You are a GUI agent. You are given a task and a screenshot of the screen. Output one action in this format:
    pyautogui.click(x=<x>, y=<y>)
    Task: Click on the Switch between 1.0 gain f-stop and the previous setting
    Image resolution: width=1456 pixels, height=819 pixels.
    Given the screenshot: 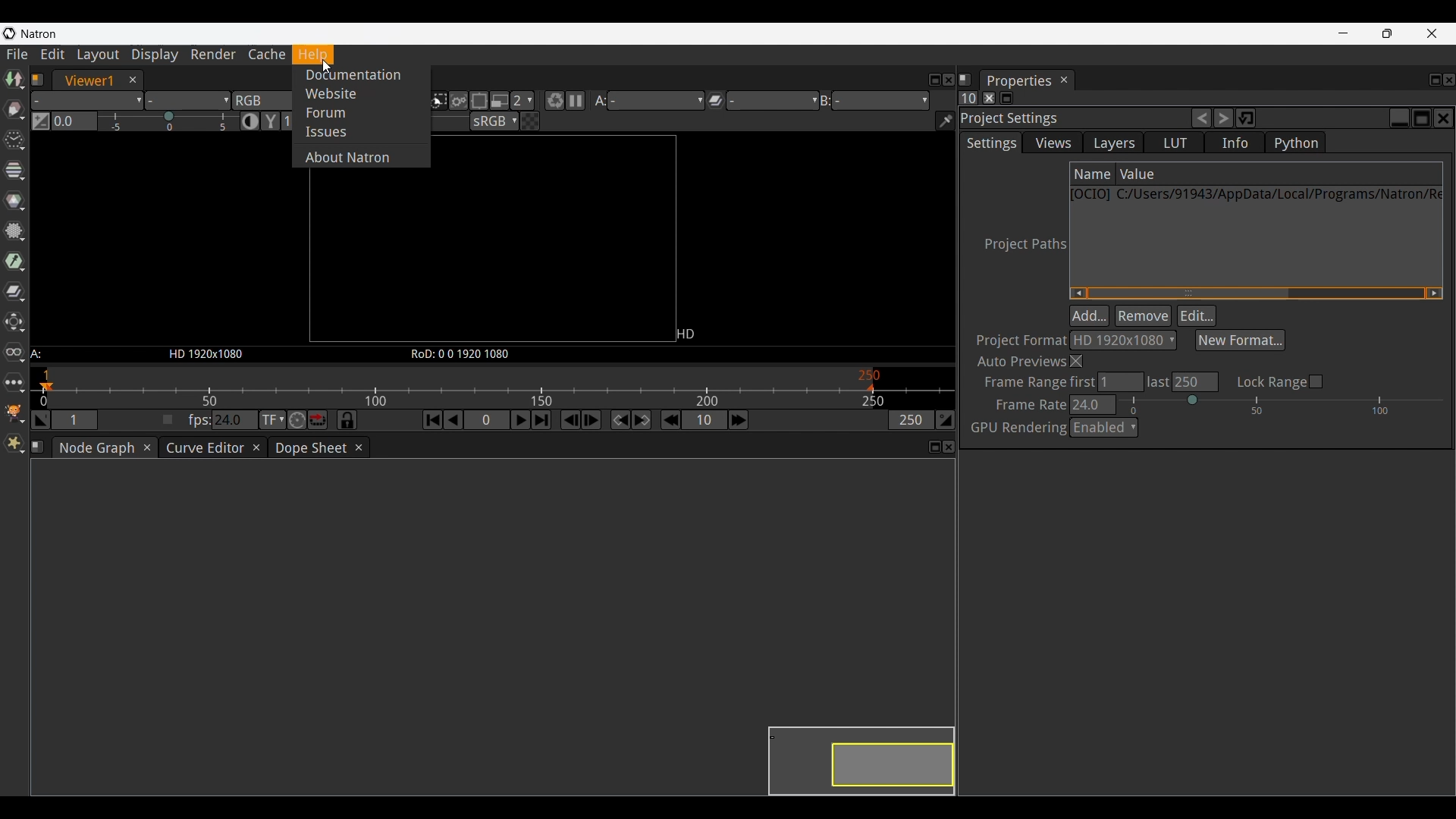 What is the action you would take?
    pyautogui.click(x=40, y=121)
    